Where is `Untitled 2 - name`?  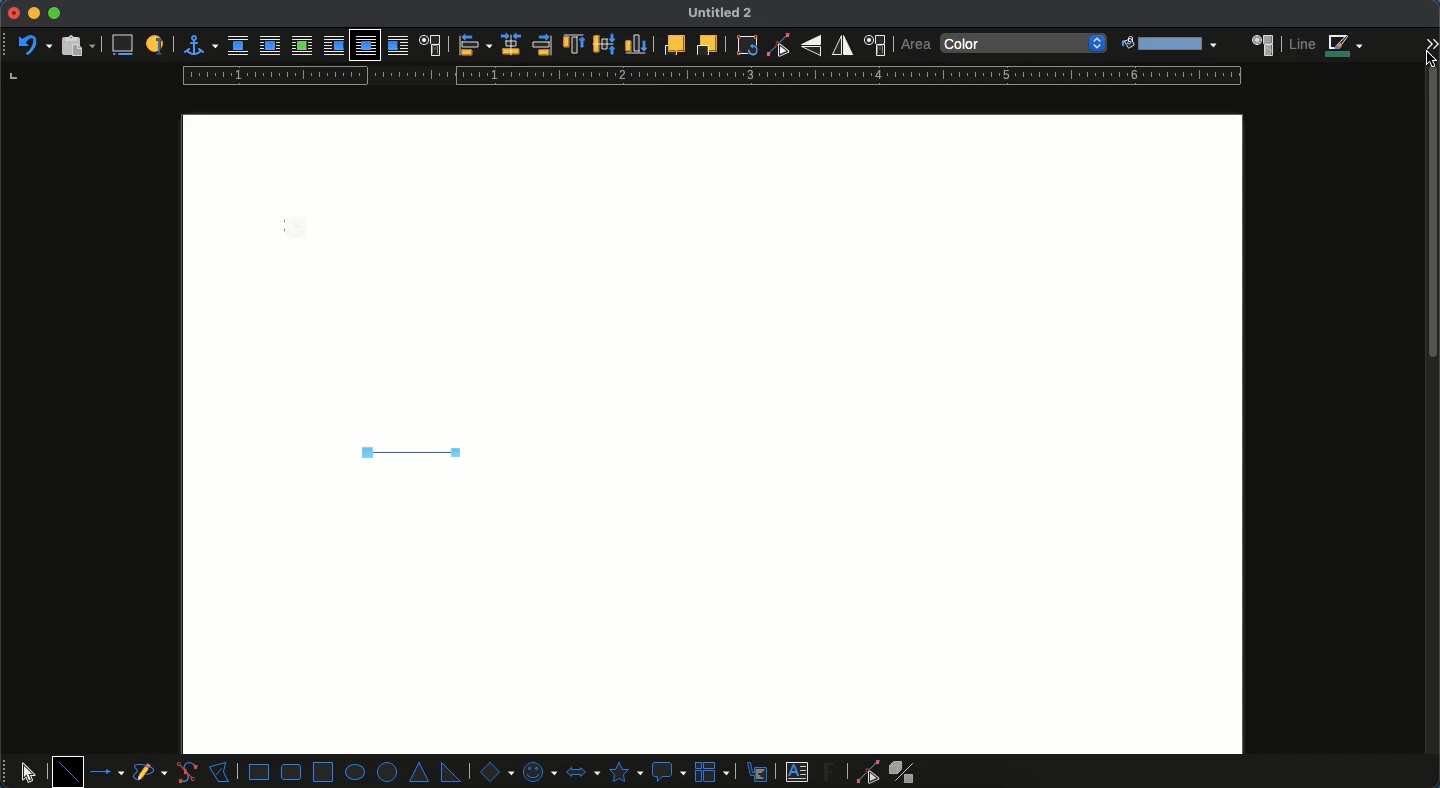
Untitled 2 - name is located at coordinates (724, 14).